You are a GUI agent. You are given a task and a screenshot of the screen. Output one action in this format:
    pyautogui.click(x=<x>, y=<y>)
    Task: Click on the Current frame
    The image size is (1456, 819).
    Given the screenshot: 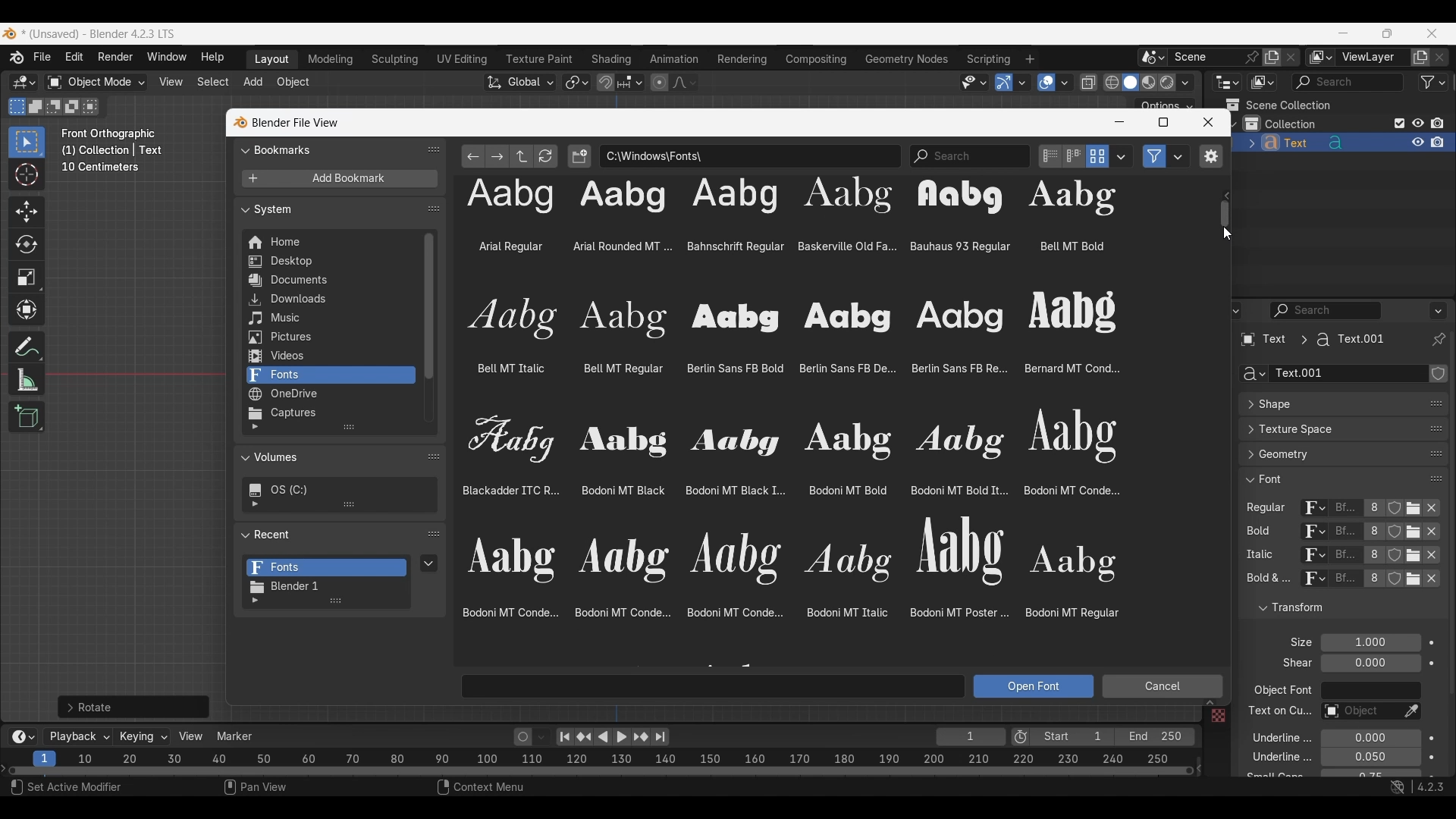 What is the action you would take?
    pyautogui.click(x=971, y=738)
    